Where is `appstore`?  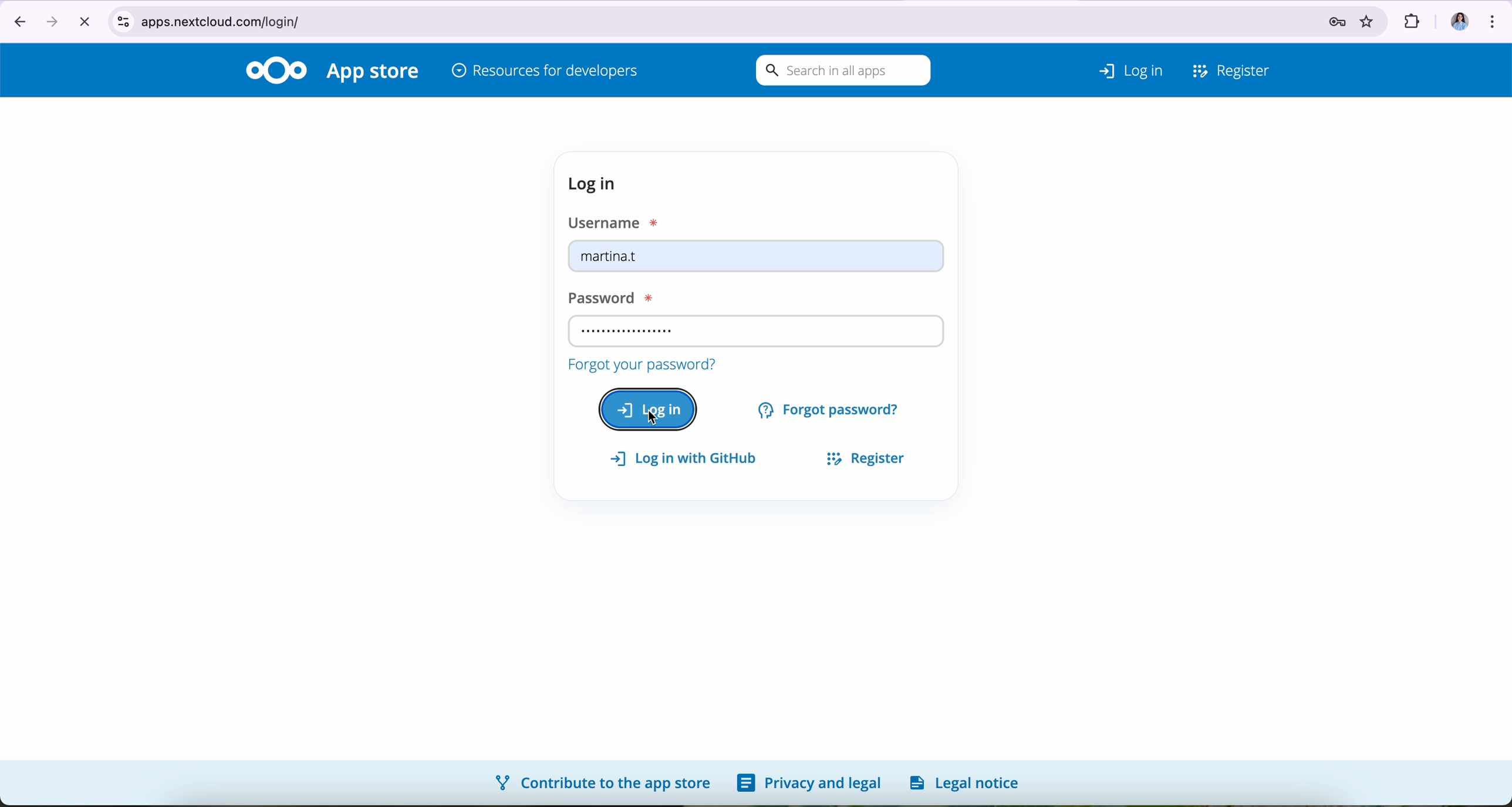 appstore is located at coordinates (375, 73).